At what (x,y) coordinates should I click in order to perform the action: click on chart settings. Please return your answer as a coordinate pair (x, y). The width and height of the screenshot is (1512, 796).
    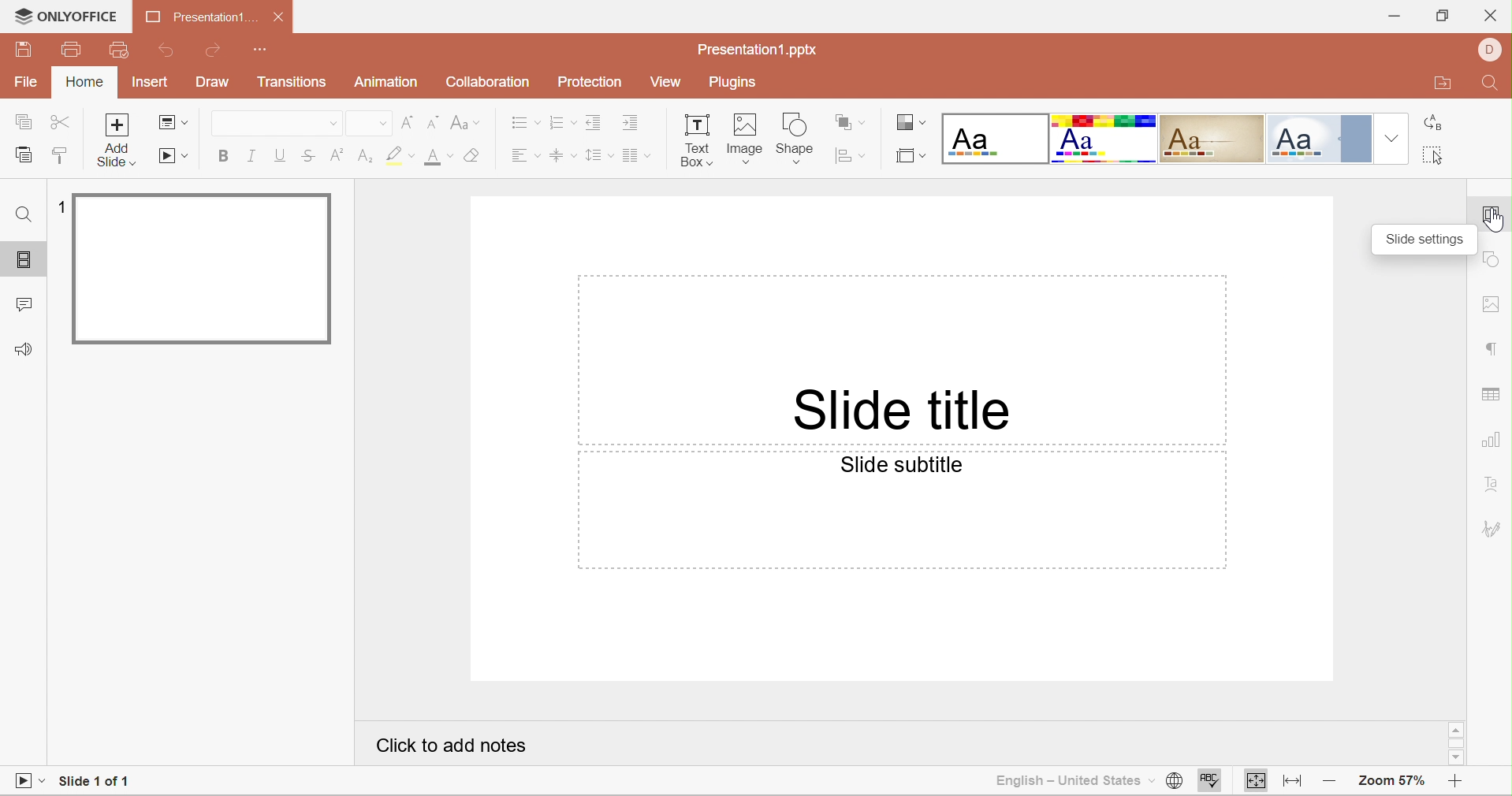
    Looking at the image, I should click on (1492, 440).